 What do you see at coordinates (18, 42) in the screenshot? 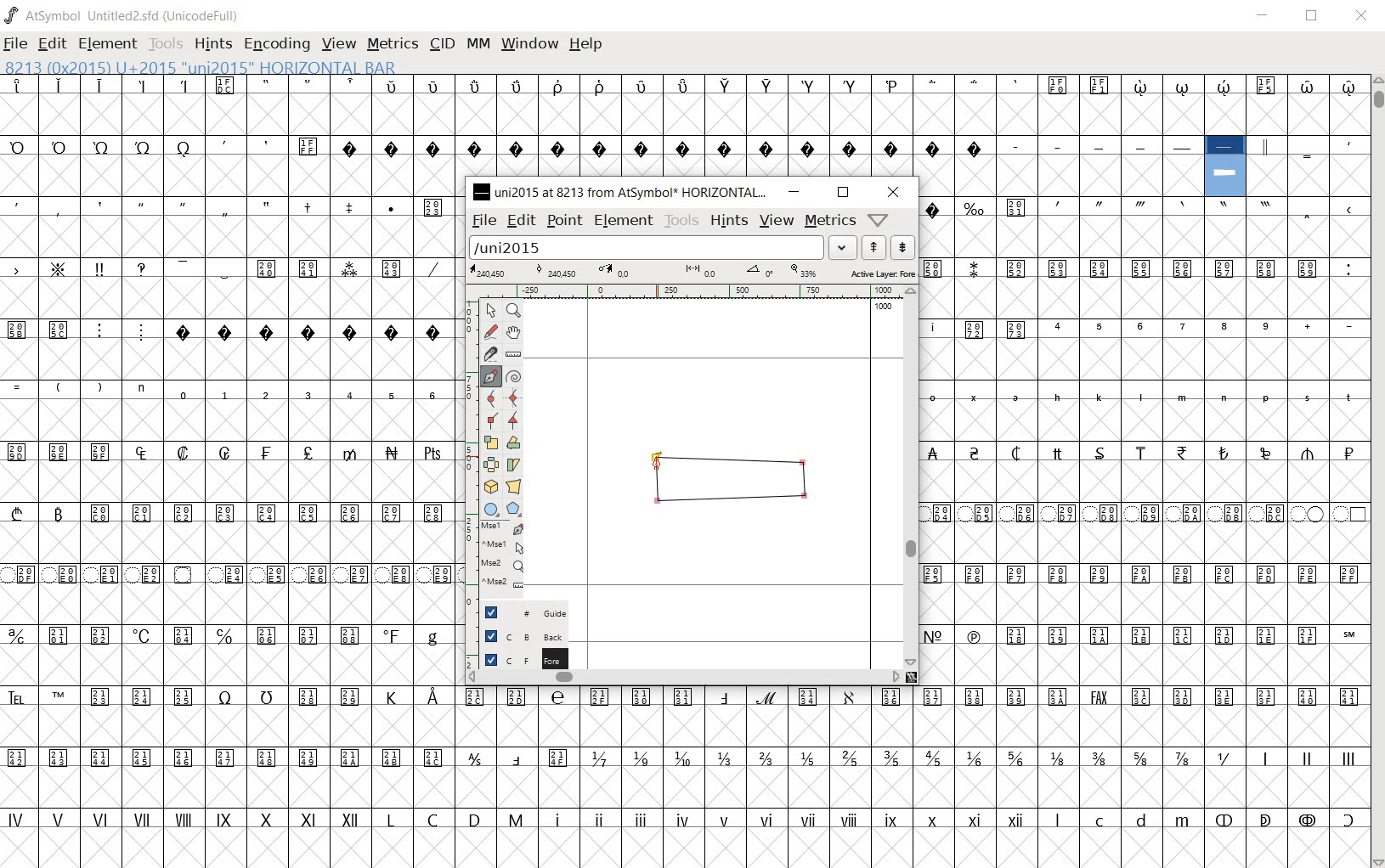
I see `FILE` at bounding box center [18, 42].